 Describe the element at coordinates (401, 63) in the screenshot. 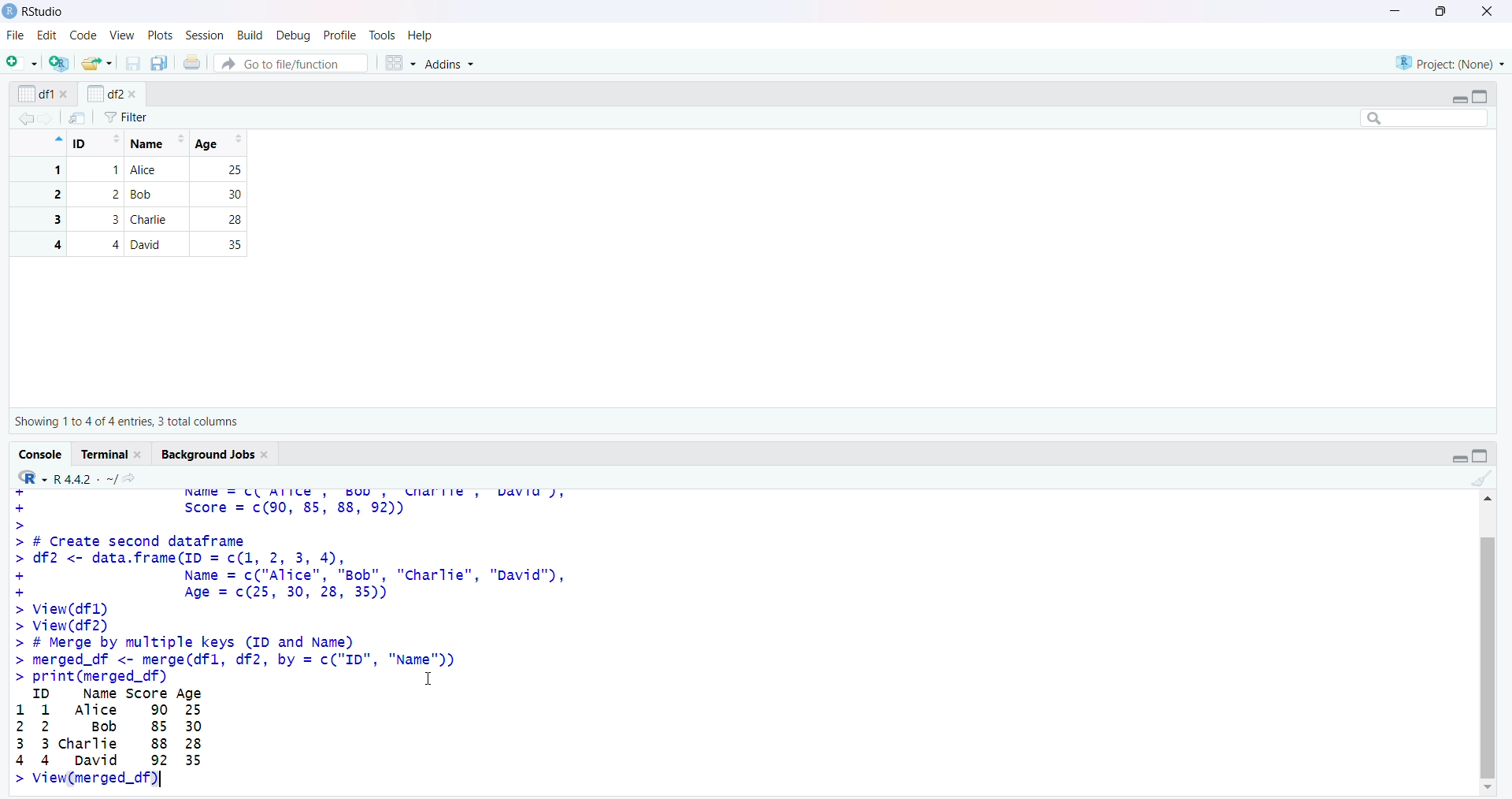

I see `grid` at that location.